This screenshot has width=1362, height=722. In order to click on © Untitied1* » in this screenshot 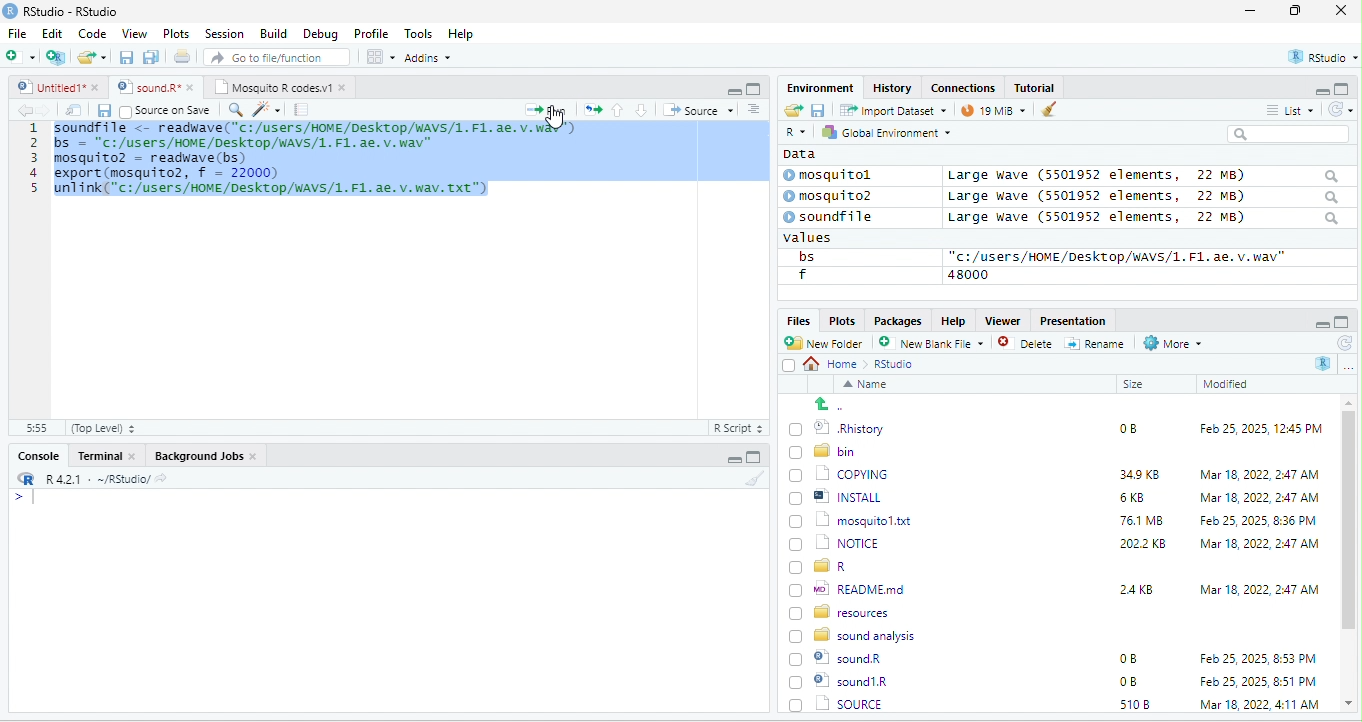, I will do `click(54, 87)`.